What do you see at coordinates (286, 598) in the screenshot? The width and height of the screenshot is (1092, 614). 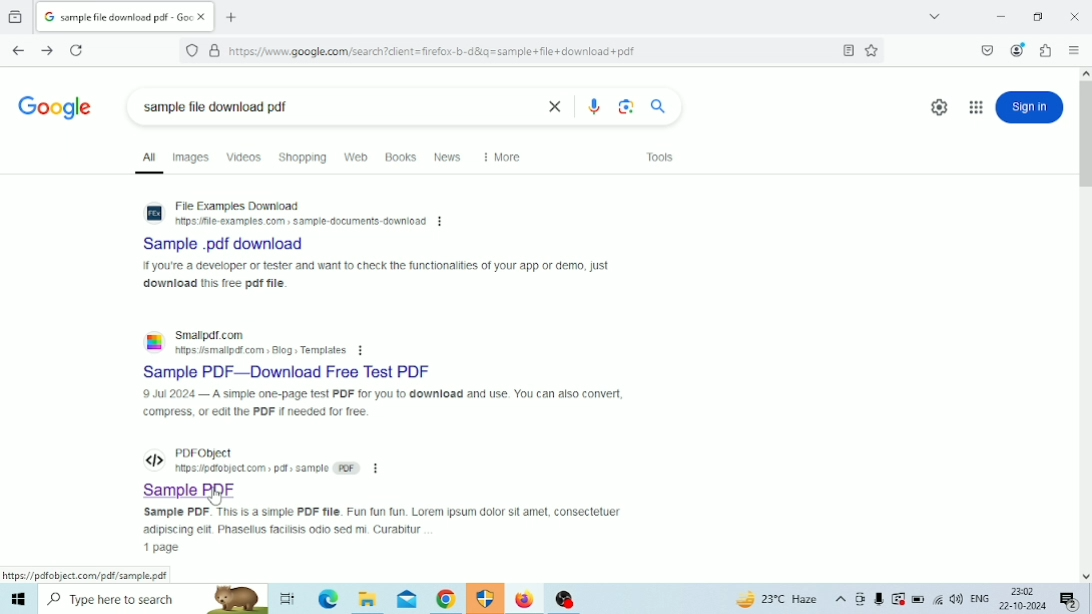 I see `Task View` at bounding box center [286, 598].